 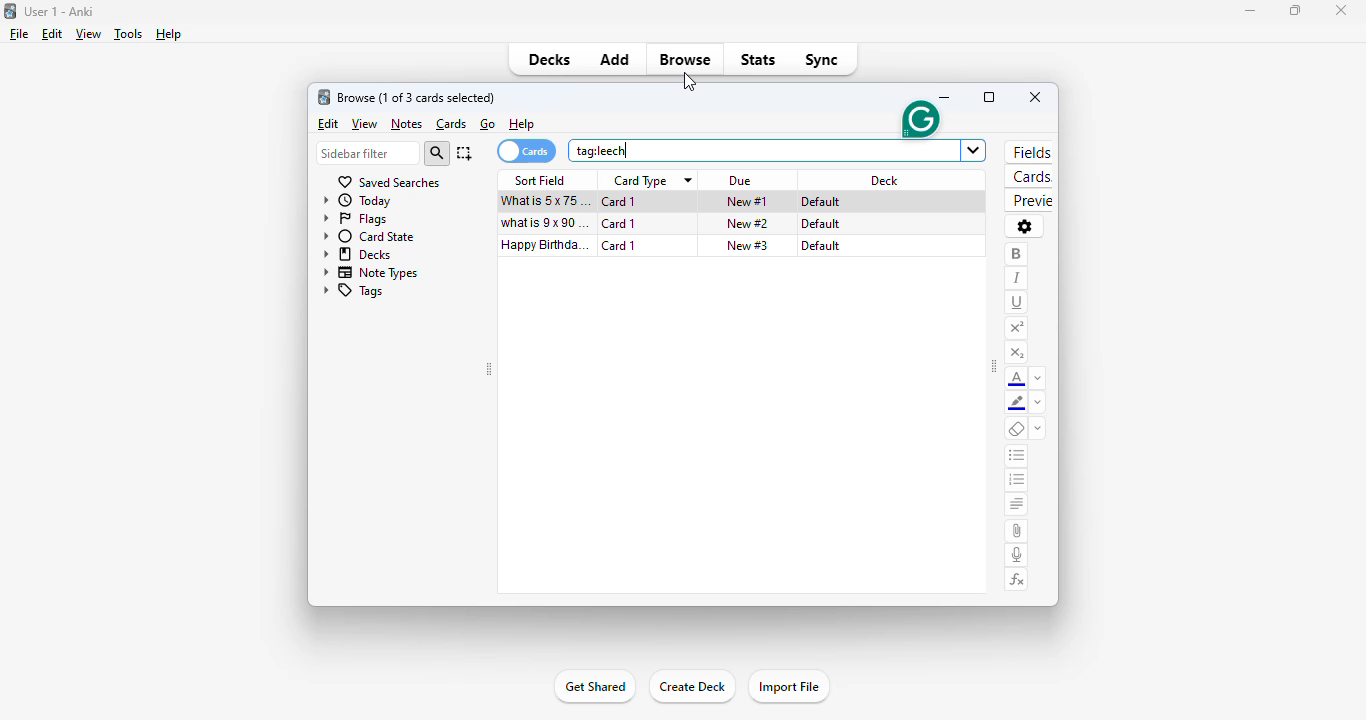 I want to click on minimize, so click(x=1251, y=11).